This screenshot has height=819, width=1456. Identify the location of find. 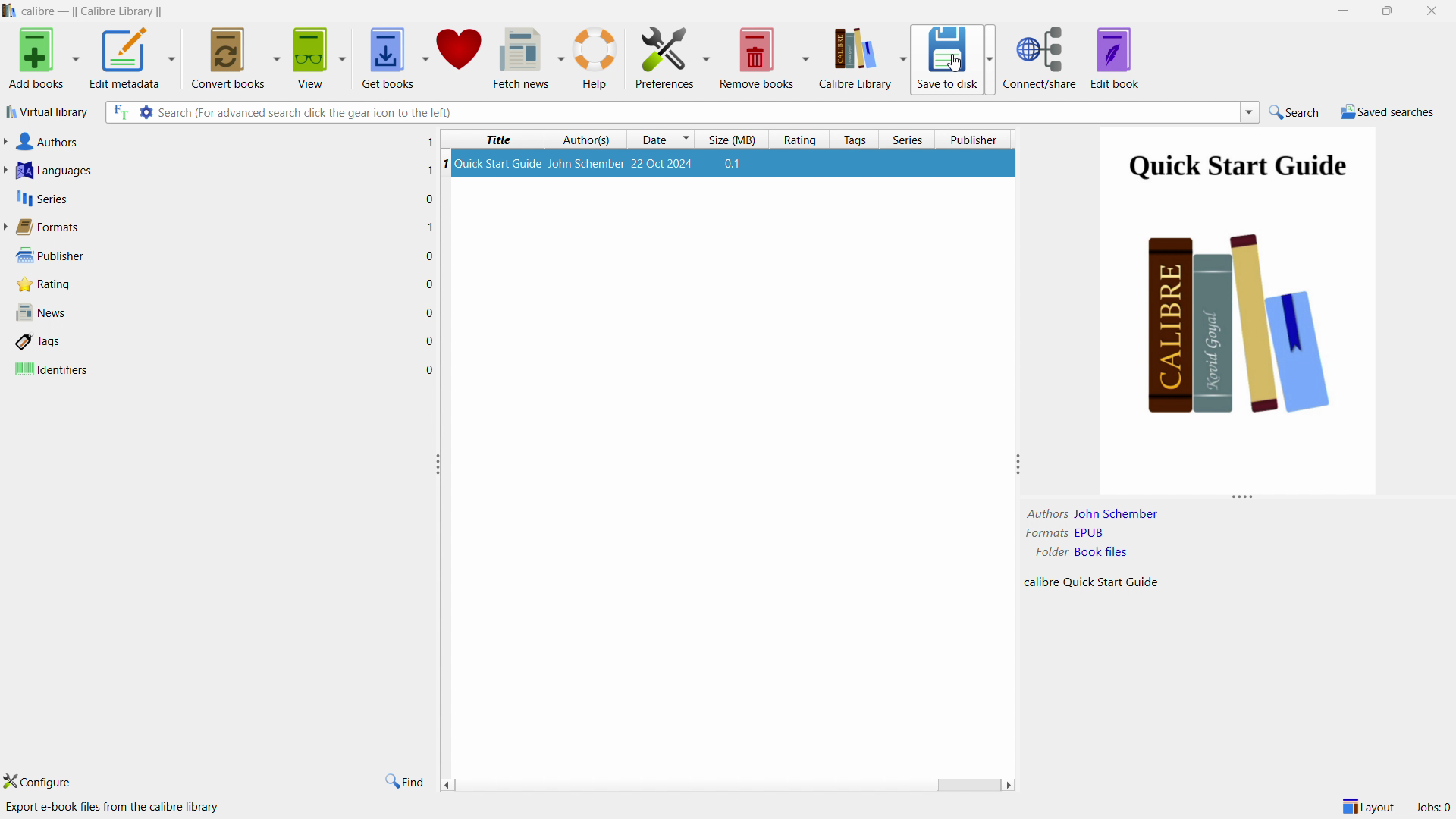
(403, 781).